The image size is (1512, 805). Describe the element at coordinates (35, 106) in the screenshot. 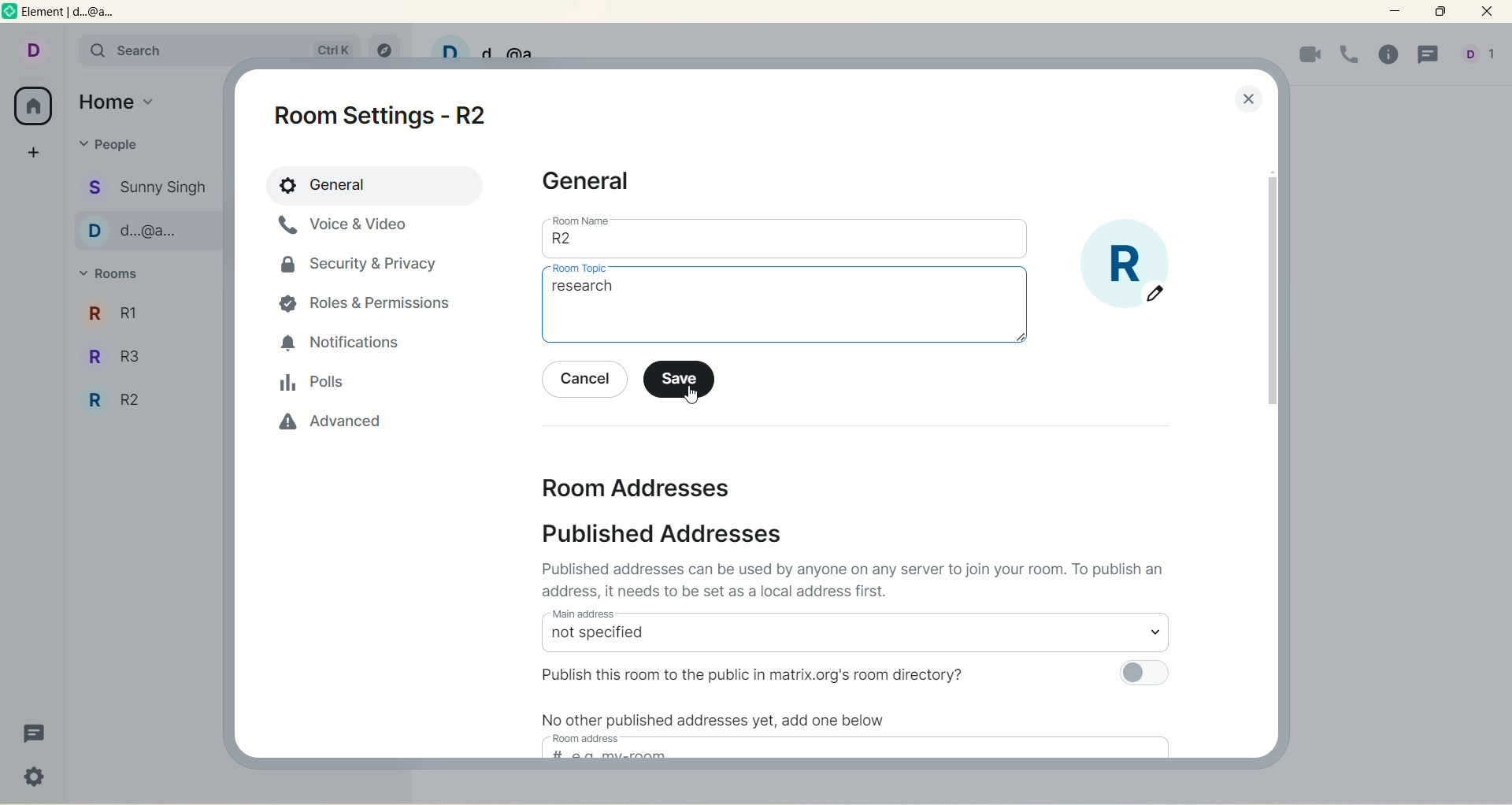

I see `all rooms` at that location.